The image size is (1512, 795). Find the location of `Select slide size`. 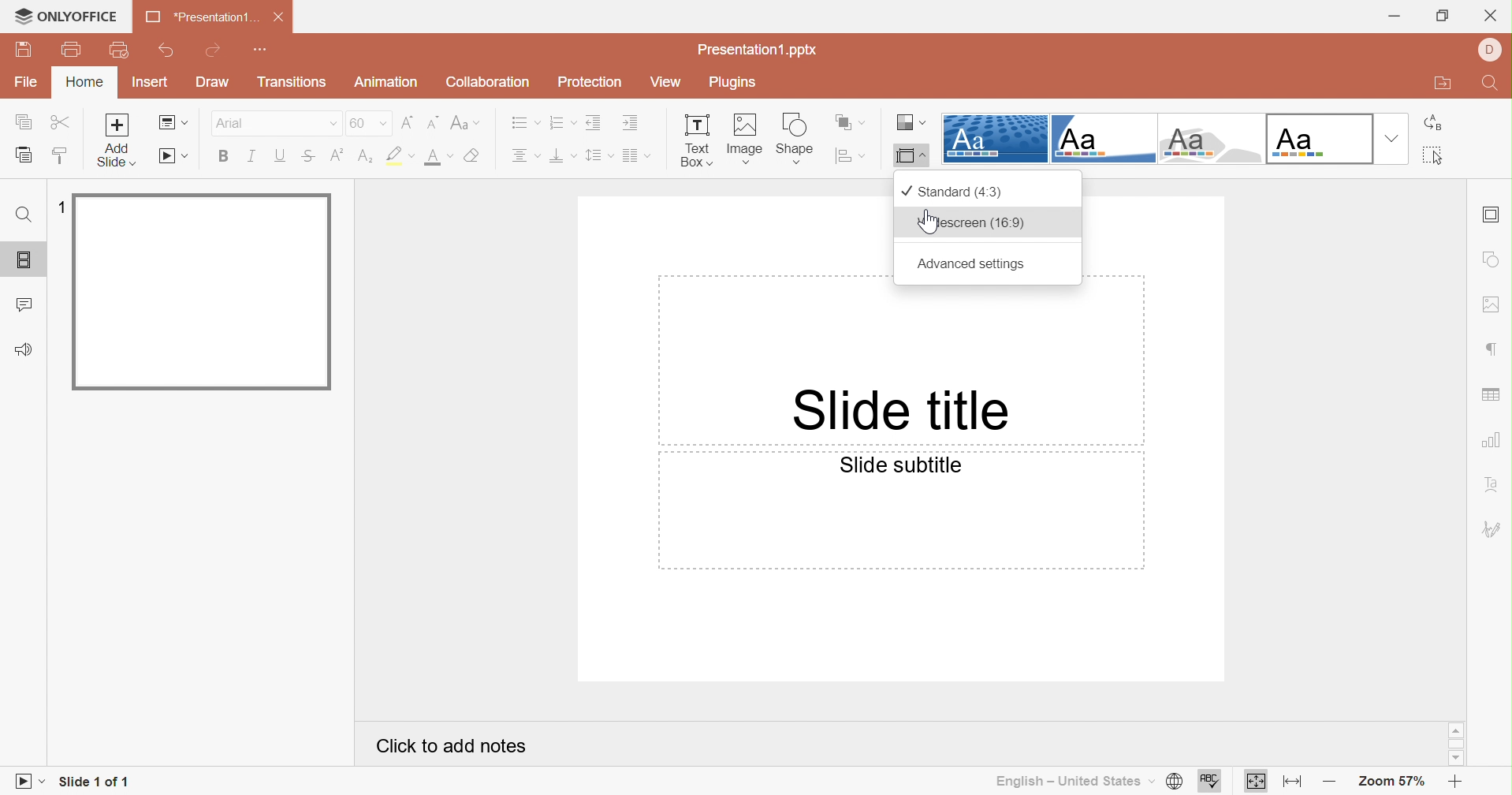

Select slide size is located at coordinates (909, 157).